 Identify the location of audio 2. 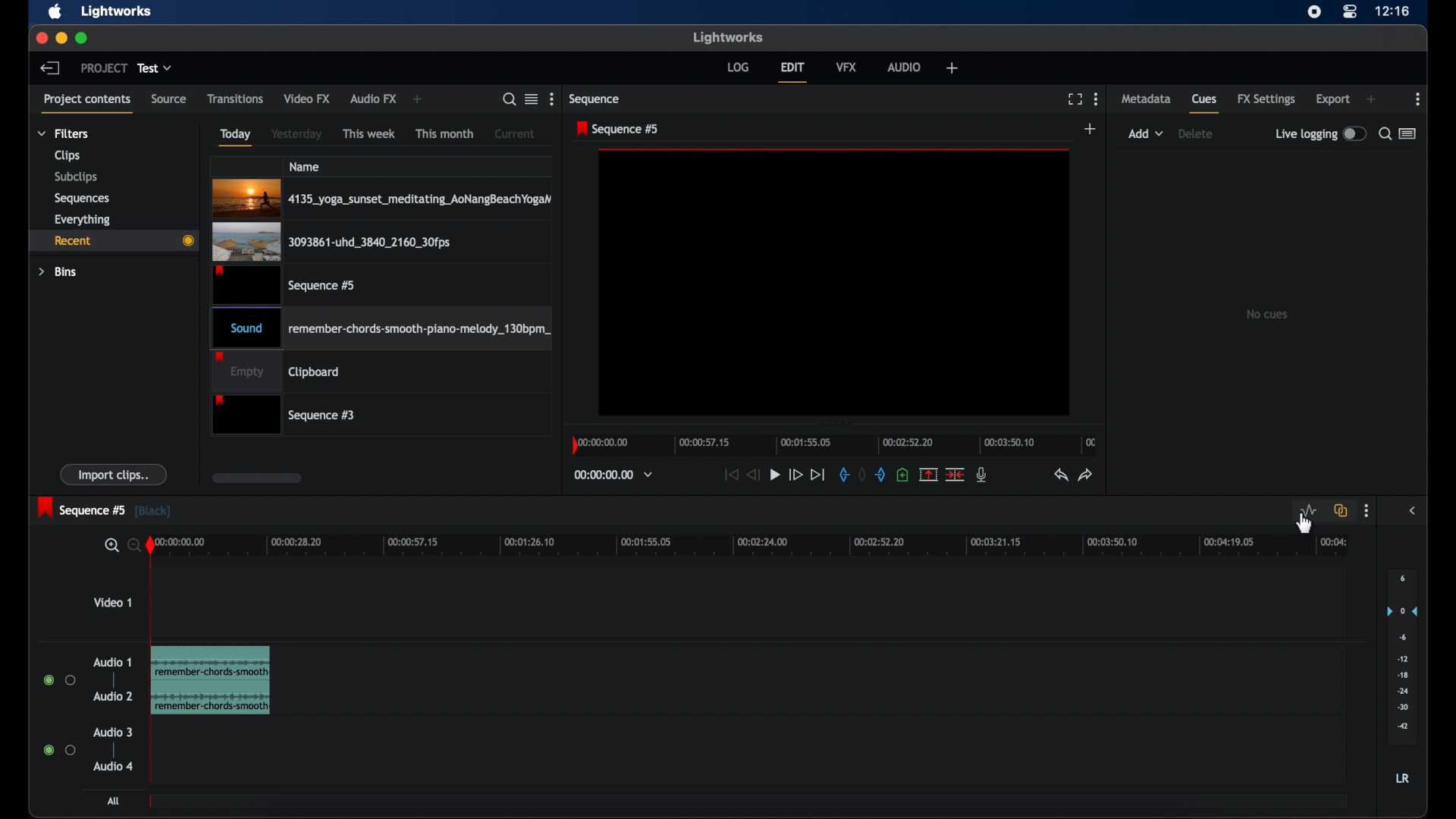
(112, 696).